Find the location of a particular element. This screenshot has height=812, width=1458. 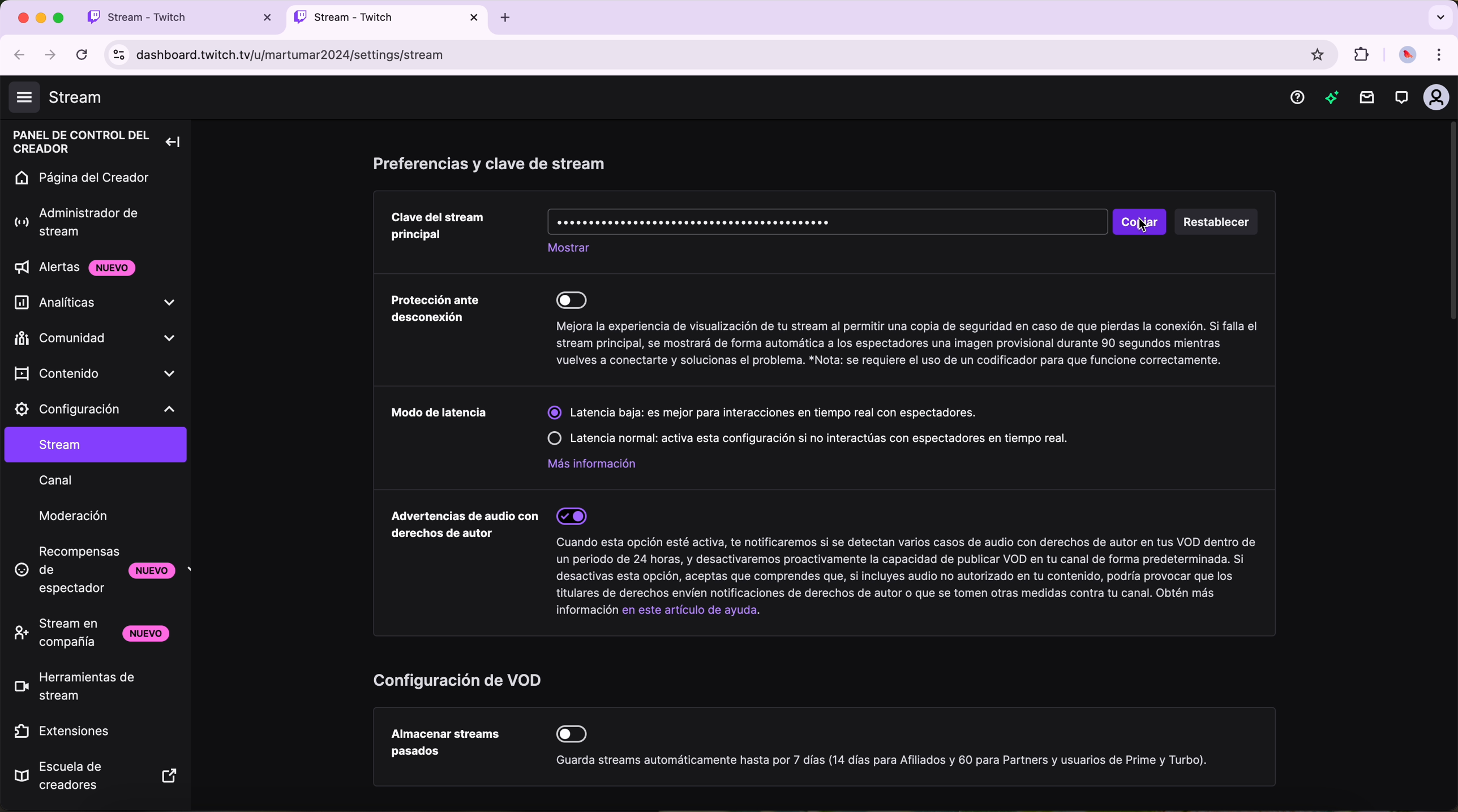

click on copy is located at coordinates (1141, 222).